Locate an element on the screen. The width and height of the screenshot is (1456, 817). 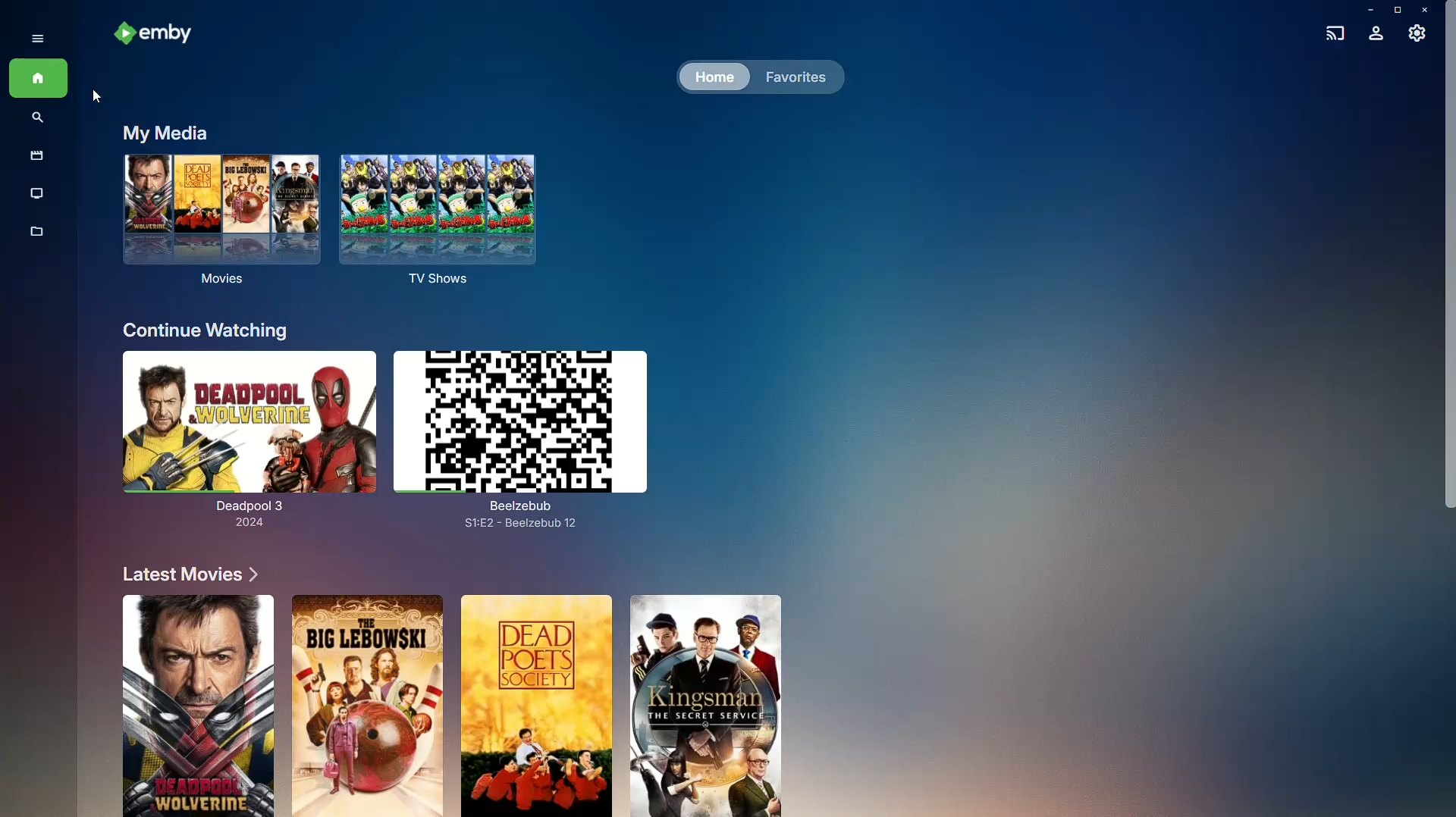
Minimize is located at coordinates (1366, 10).